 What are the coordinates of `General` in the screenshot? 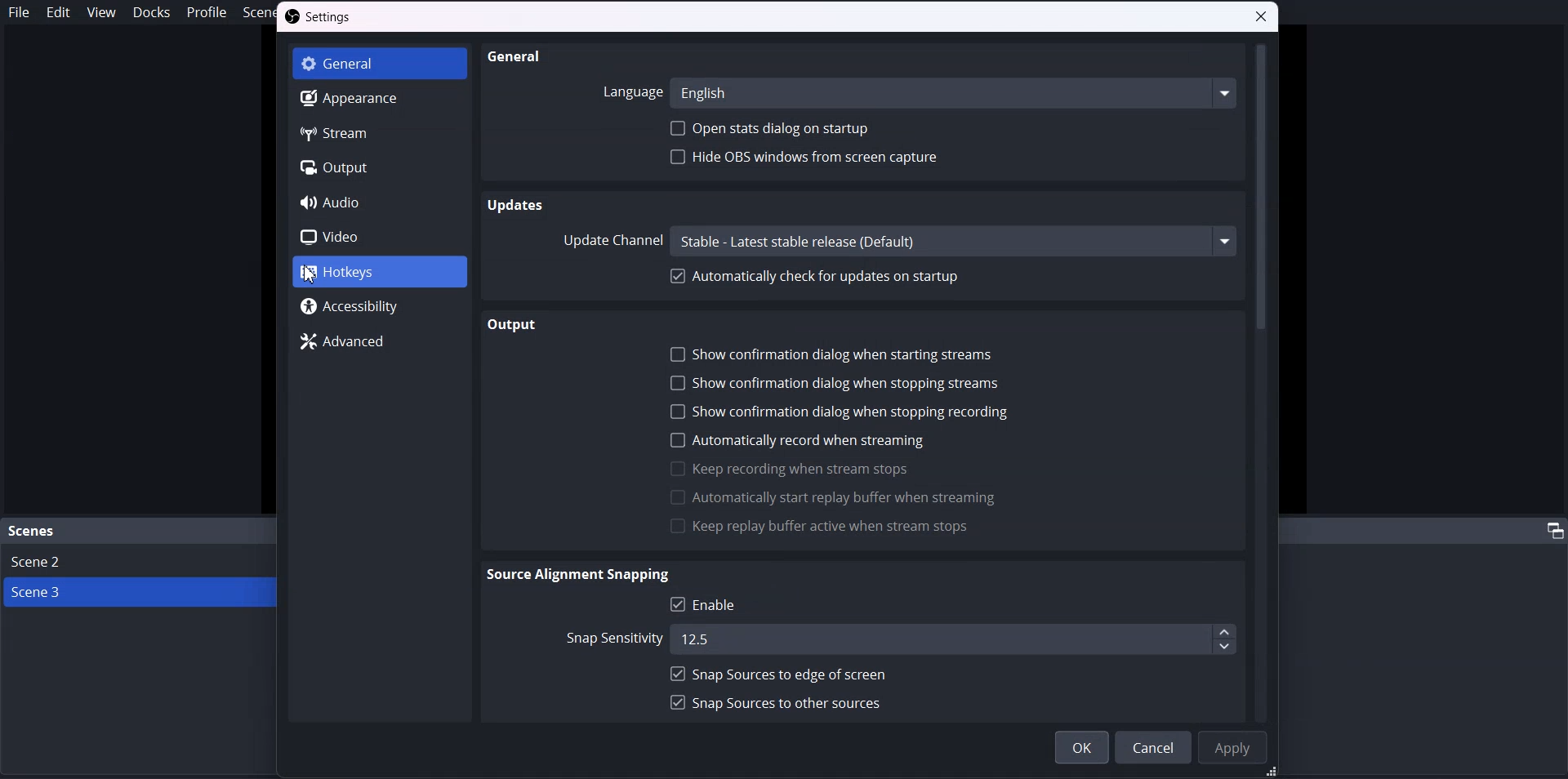 It's located at (378, 63).